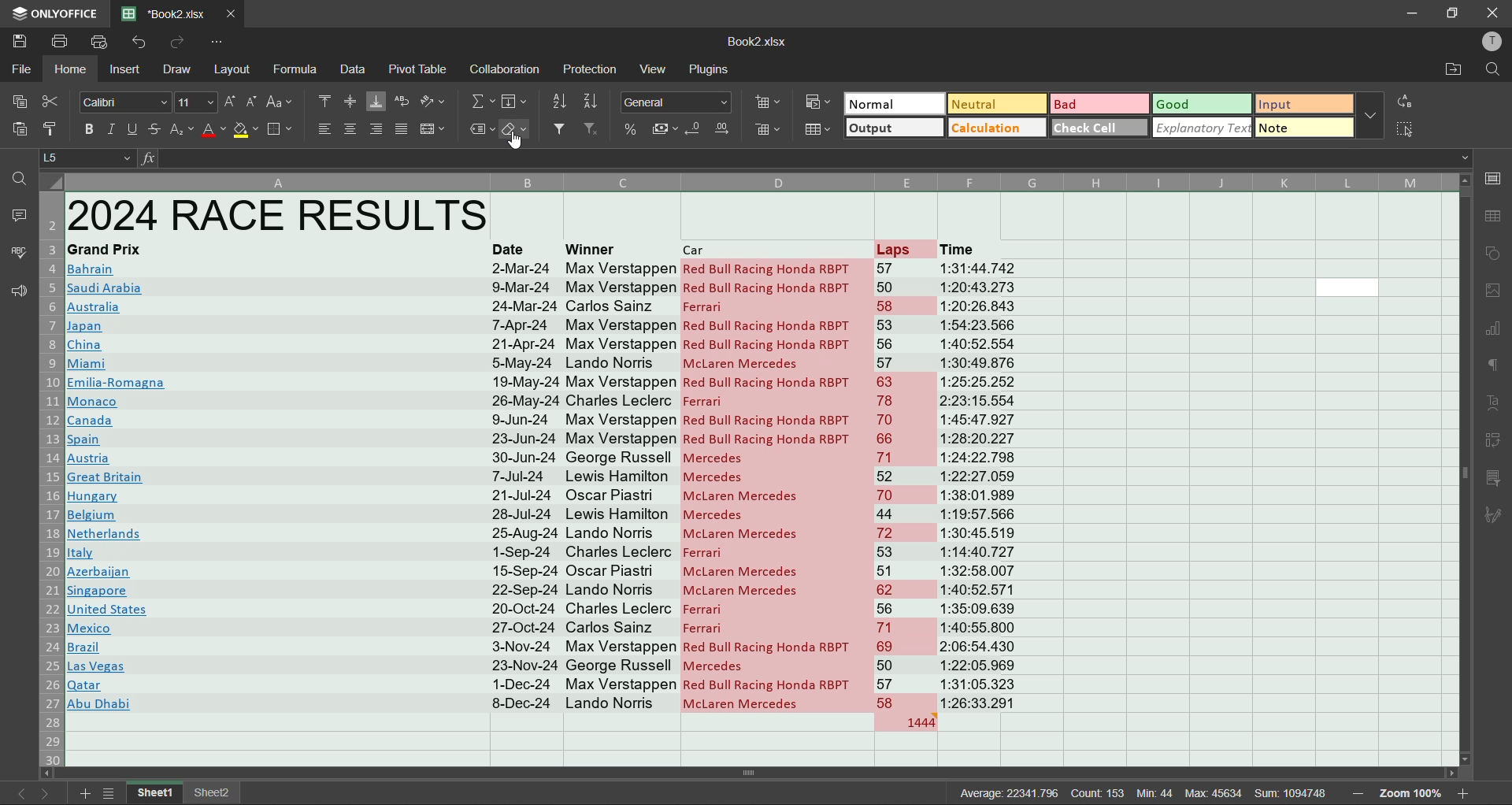  Describe the element at coordinates (1158, 793) in the screenshot. I see `min` at that location.